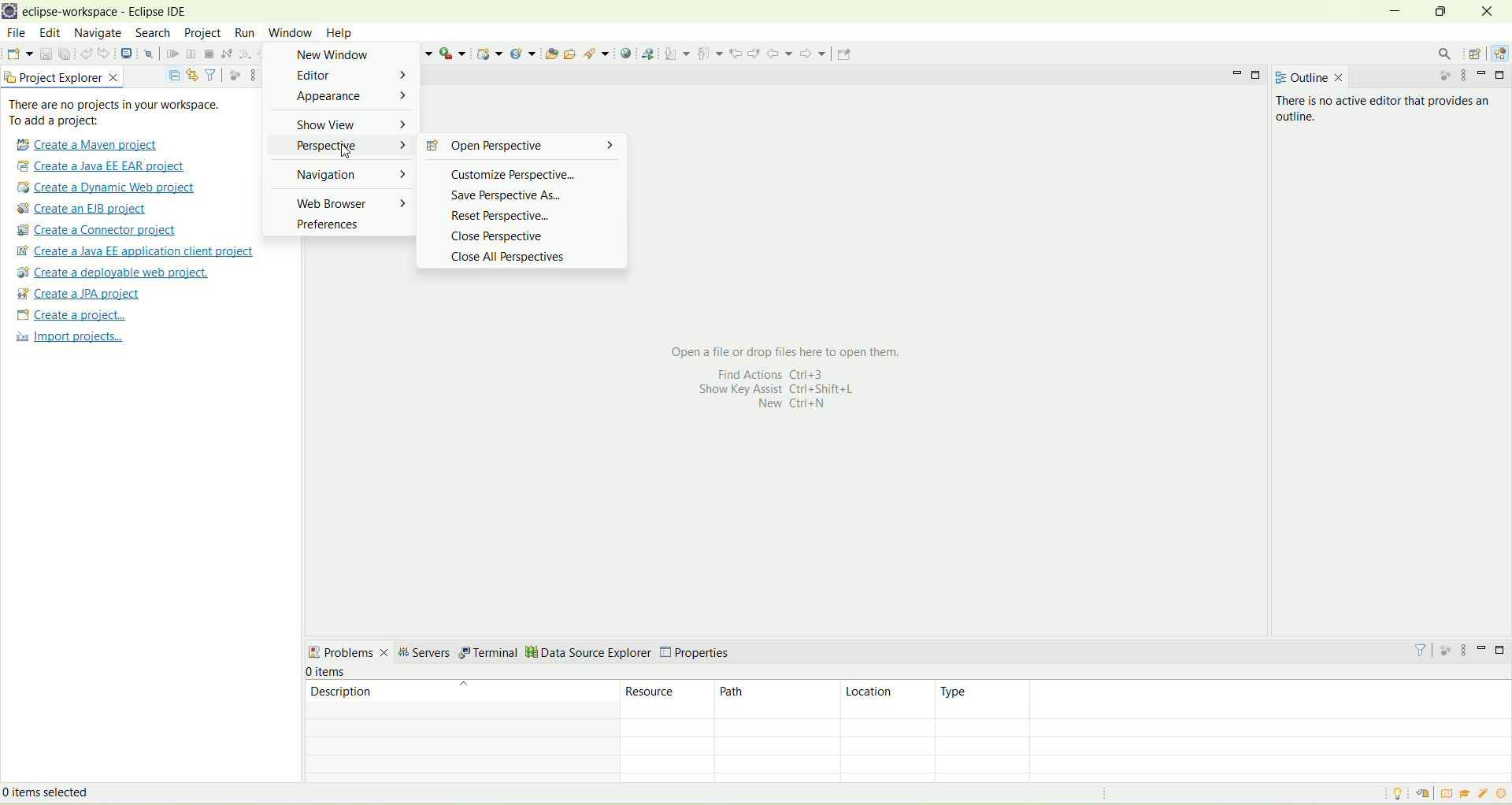  What do you see at coordinates (1501, 650) in the screenshot?
I see `maximize` at bounding box center [1501, 650].